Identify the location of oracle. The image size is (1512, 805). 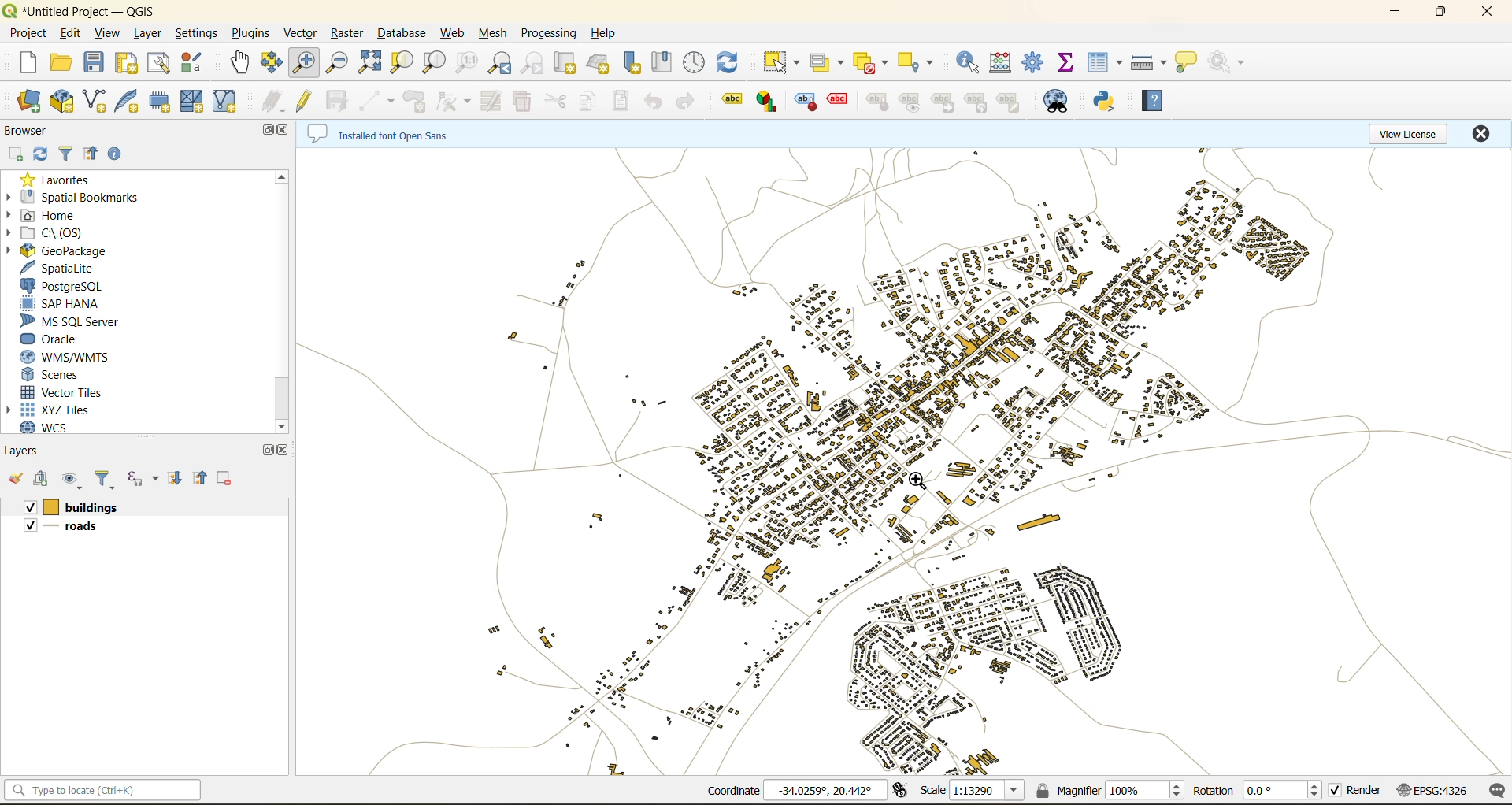
(59, 340).